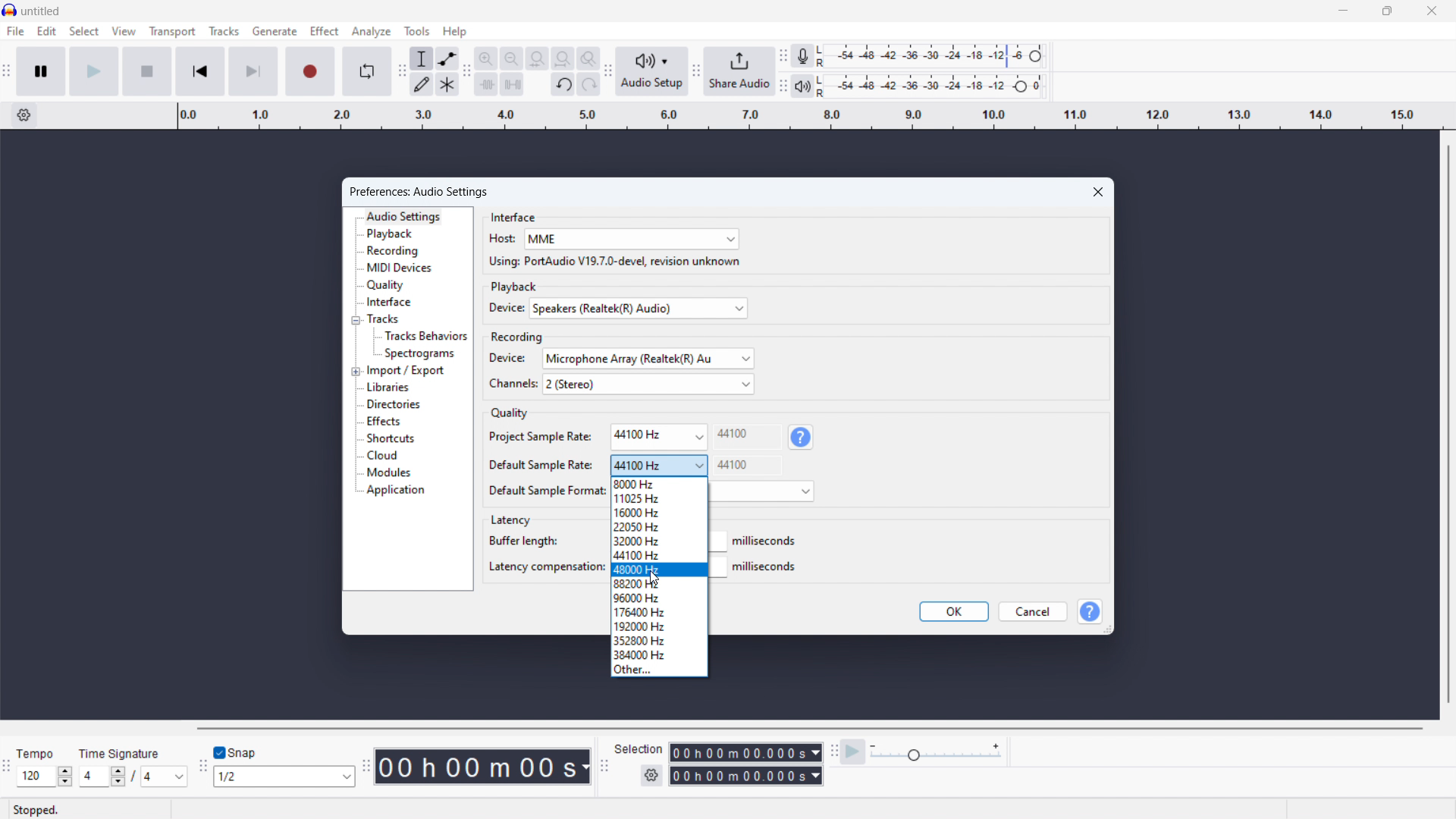 This screenshot has width=1456, height=819. What do you see at coordinates (811, 729) in the screenshot?
I see `horizontal scrollbar` at bounding box center [811, 729].